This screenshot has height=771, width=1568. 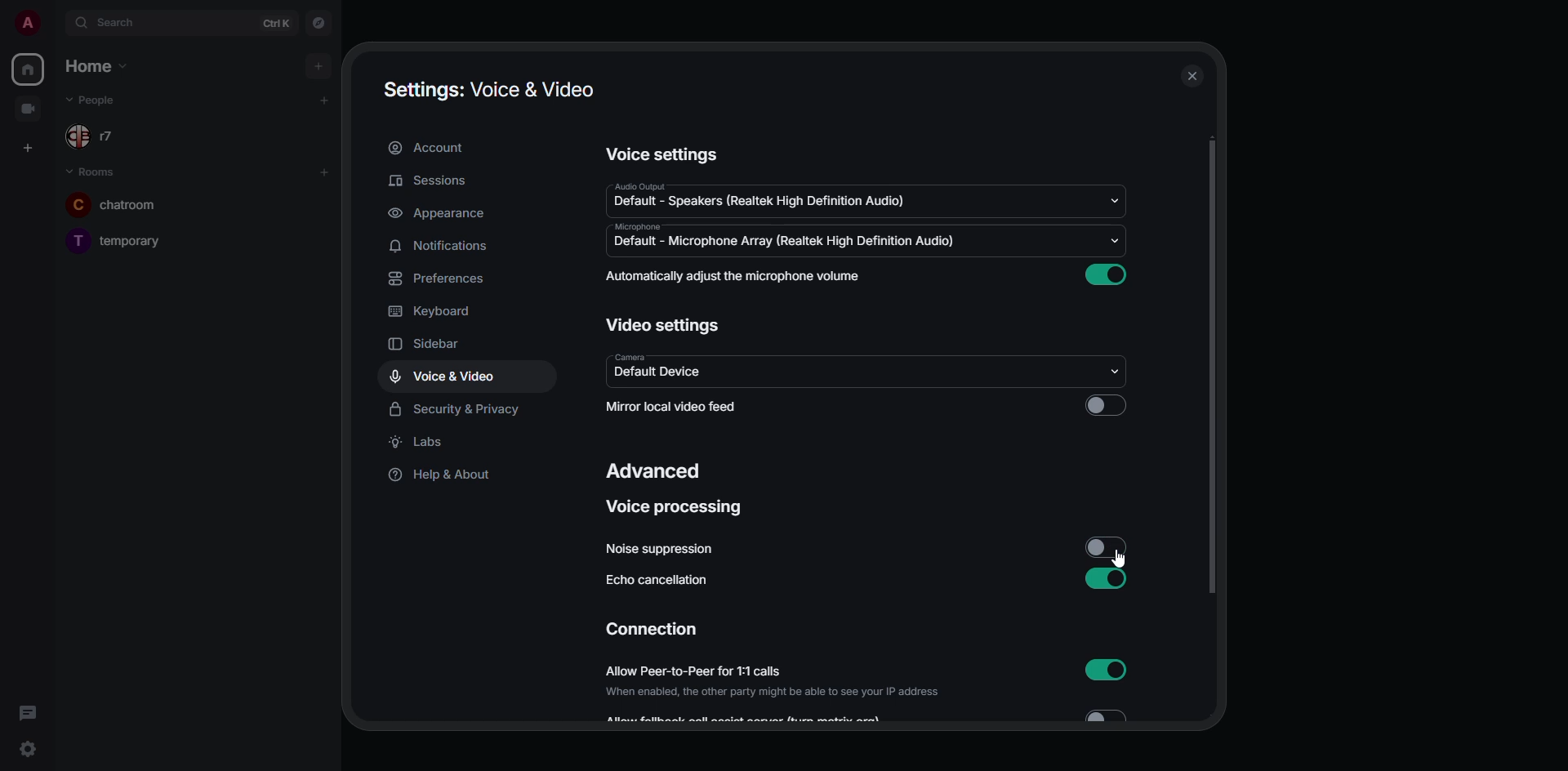 I want to click on add, so click(x=324, y=172).